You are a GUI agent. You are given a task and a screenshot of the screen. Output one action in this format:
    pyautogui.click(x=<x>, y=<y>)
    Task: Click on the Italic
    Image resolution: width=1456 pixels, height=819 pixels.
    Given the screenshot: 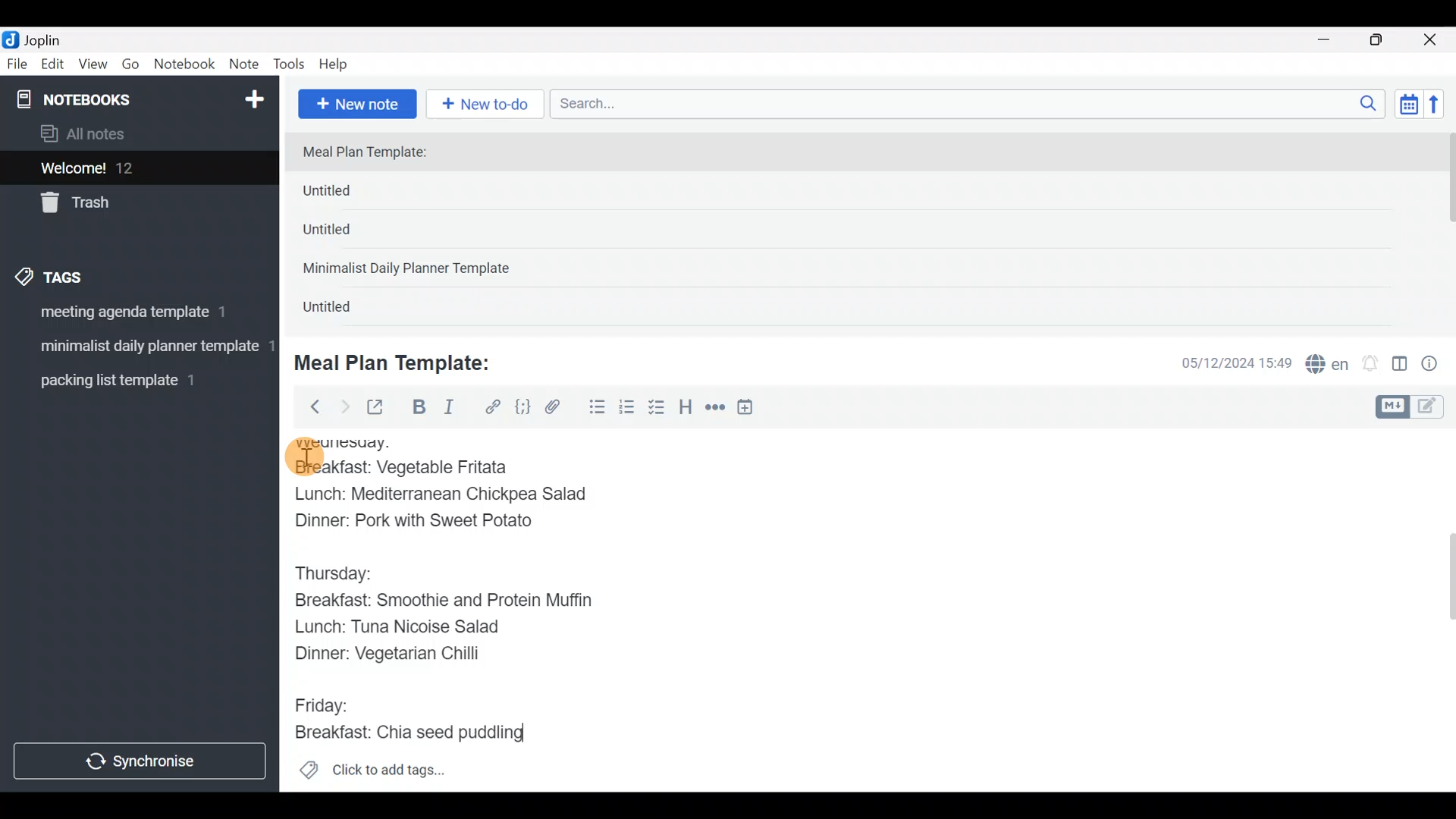 What is the action you would take?
    pyautogui.click(x=447, y=410)
    